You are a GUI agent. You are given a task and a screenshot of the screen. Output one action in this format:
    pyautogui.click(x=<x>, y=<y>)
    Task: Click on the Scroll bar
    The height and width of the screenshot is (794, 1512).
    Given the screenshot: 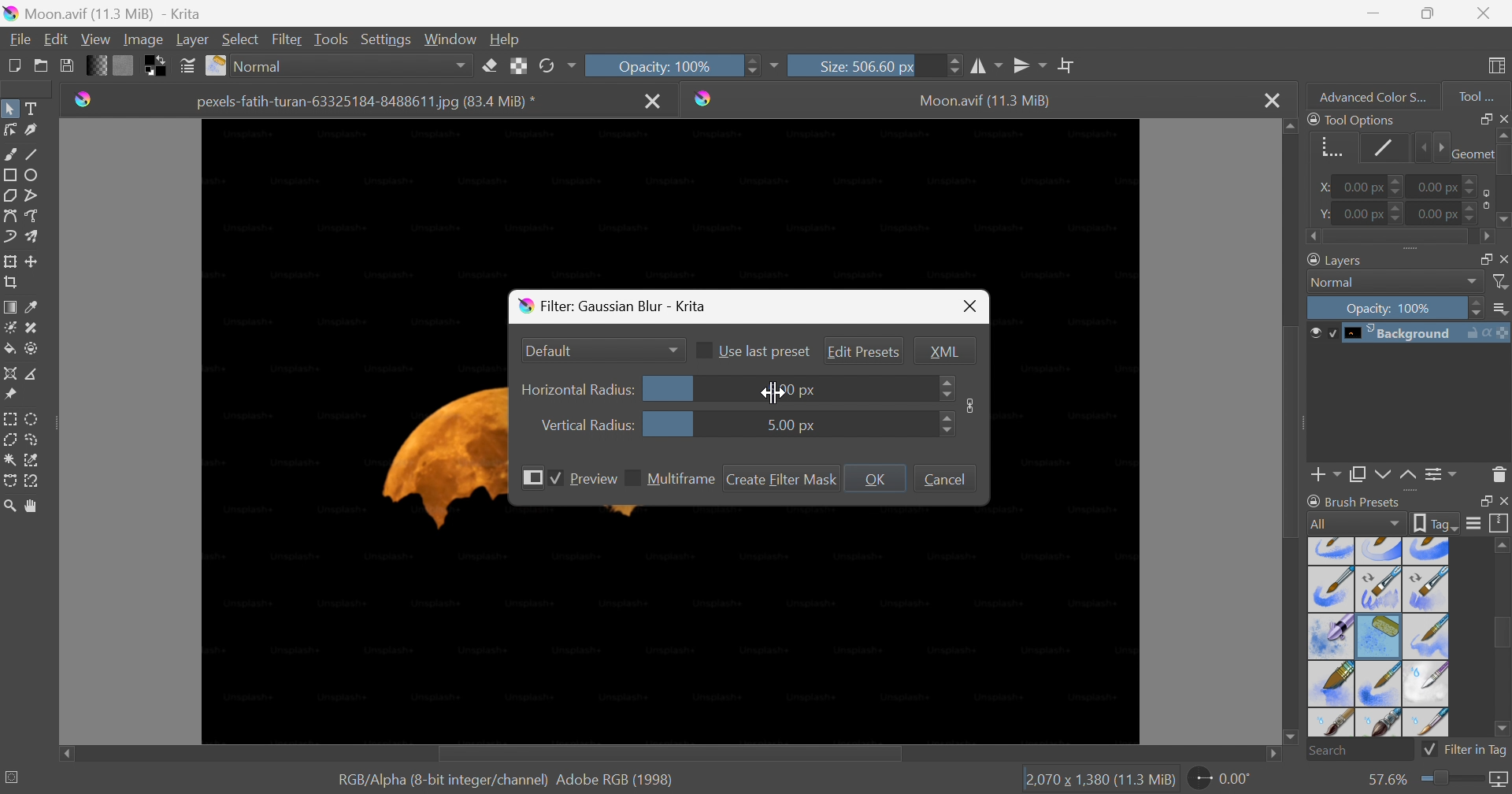 What is the action you would take?
    pyautogui.click(x=1503, y=633)
    